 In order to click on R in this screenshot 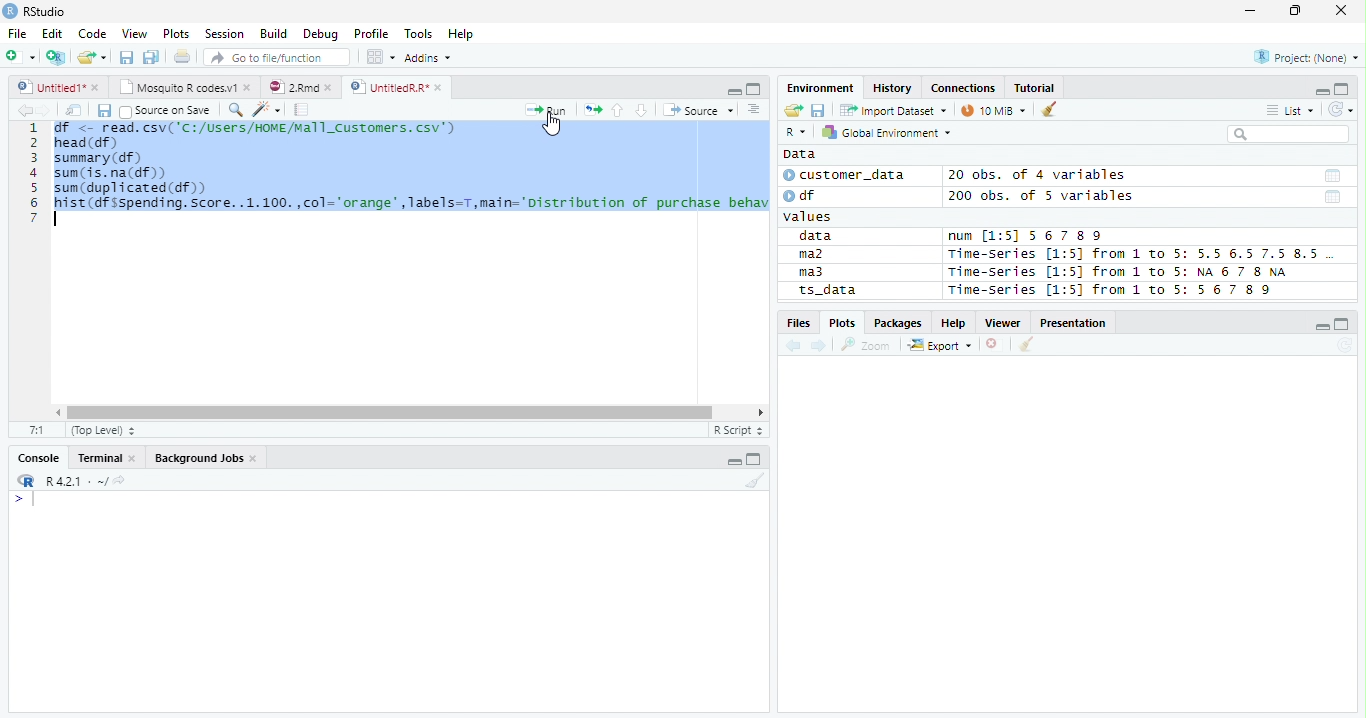, I will do `click(795, 133)`.